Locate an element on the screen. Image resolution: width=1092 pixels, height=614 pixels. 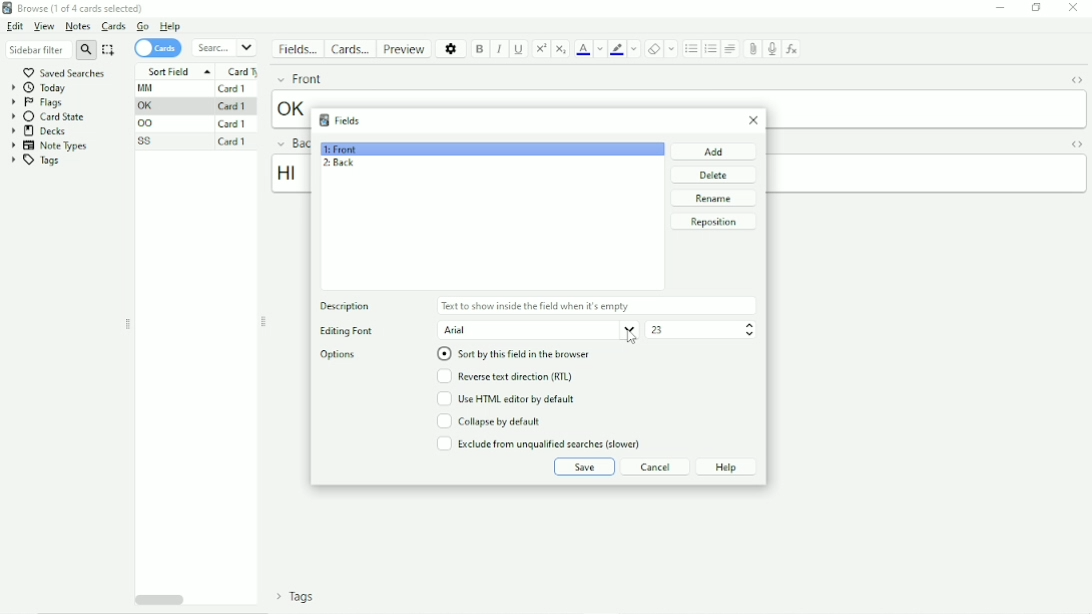
Select is located at coordinates (109, 50).